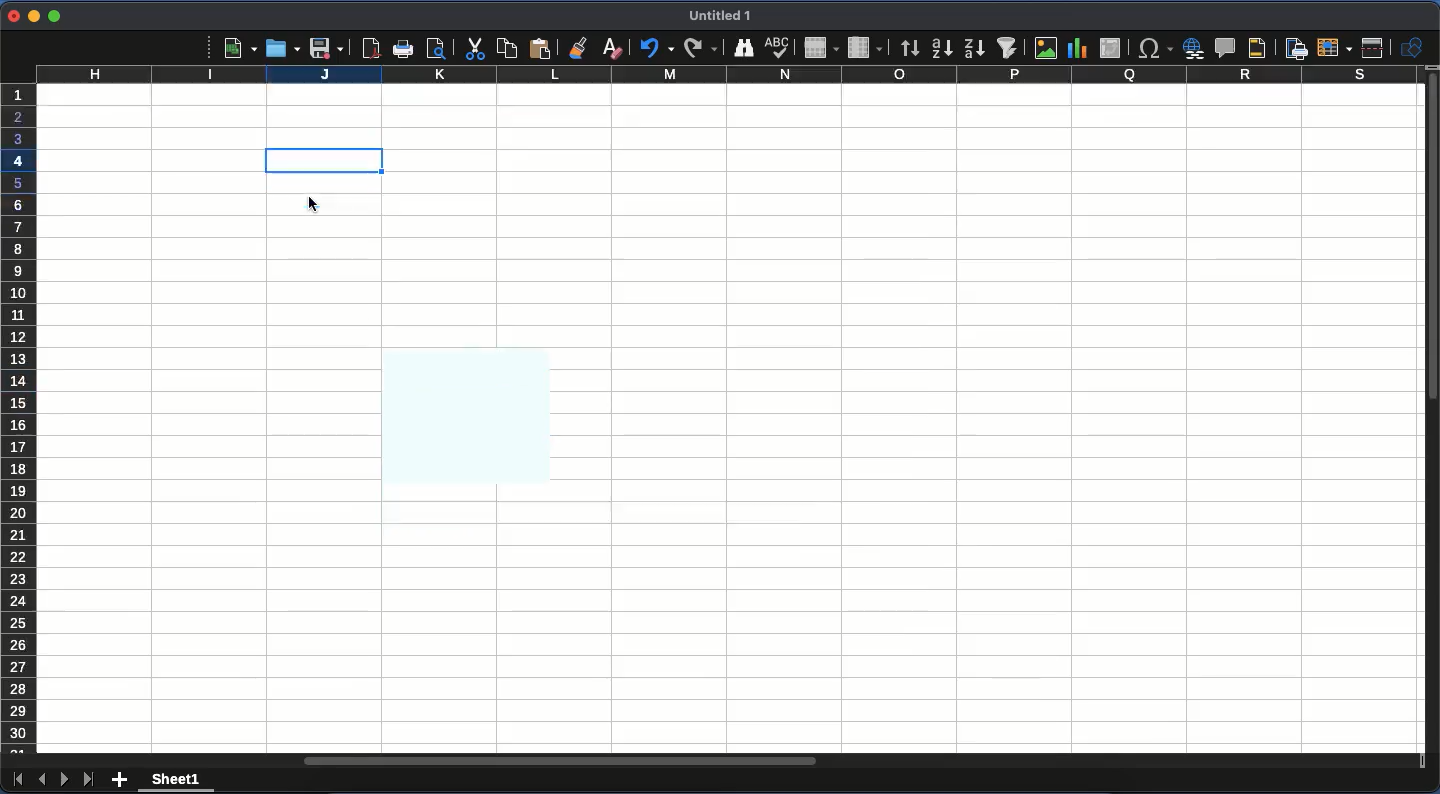 The width and height of the screenshot is (1440, 794). What do you see at coordinates (742, 47) in the screenshot?
I see `finder` at bounding box center [742, 47].